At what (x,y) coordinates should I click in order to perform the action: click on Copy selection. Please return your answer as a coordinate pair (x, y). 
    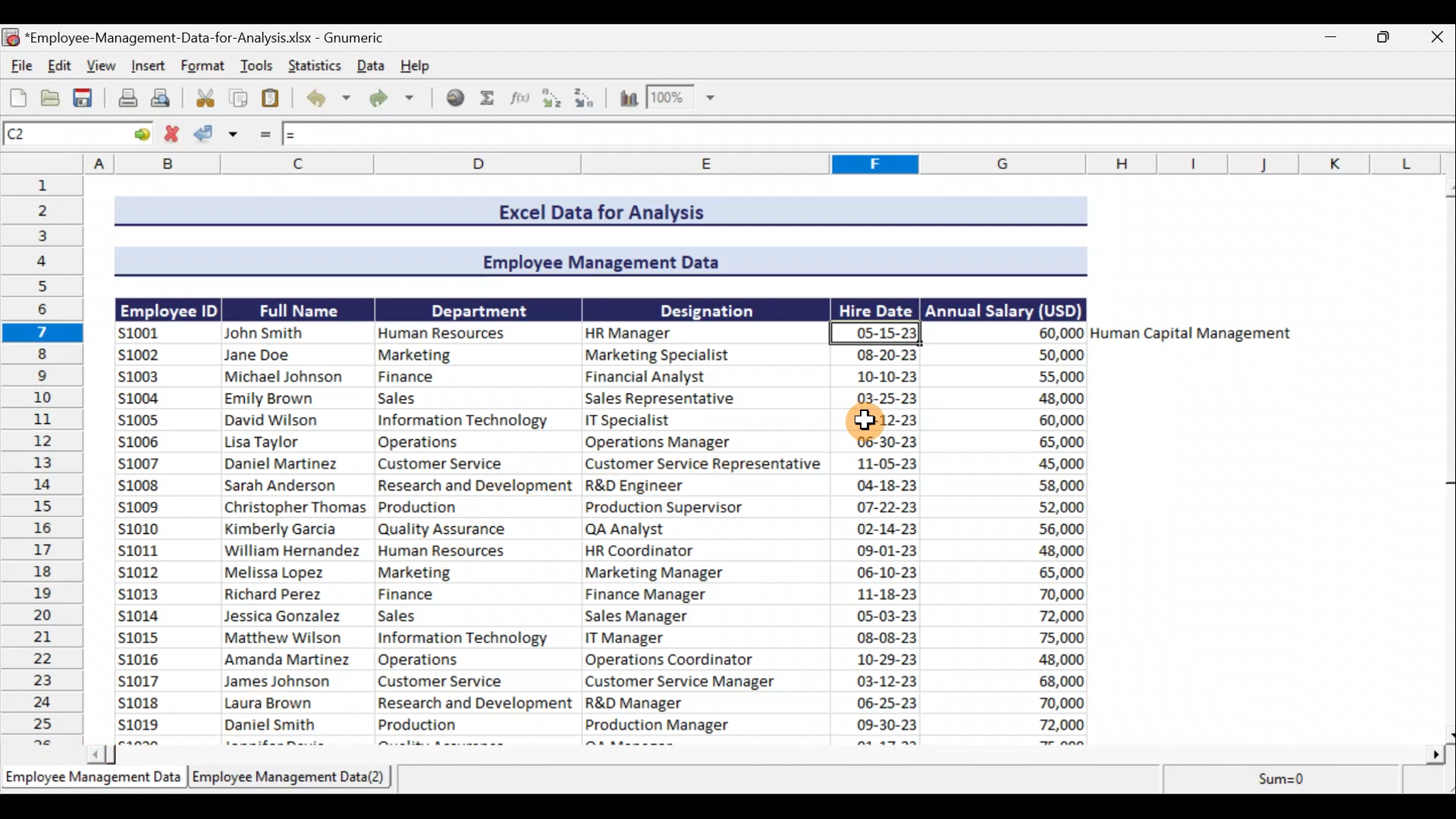
    Looking at the image, I should click on (238, 101).